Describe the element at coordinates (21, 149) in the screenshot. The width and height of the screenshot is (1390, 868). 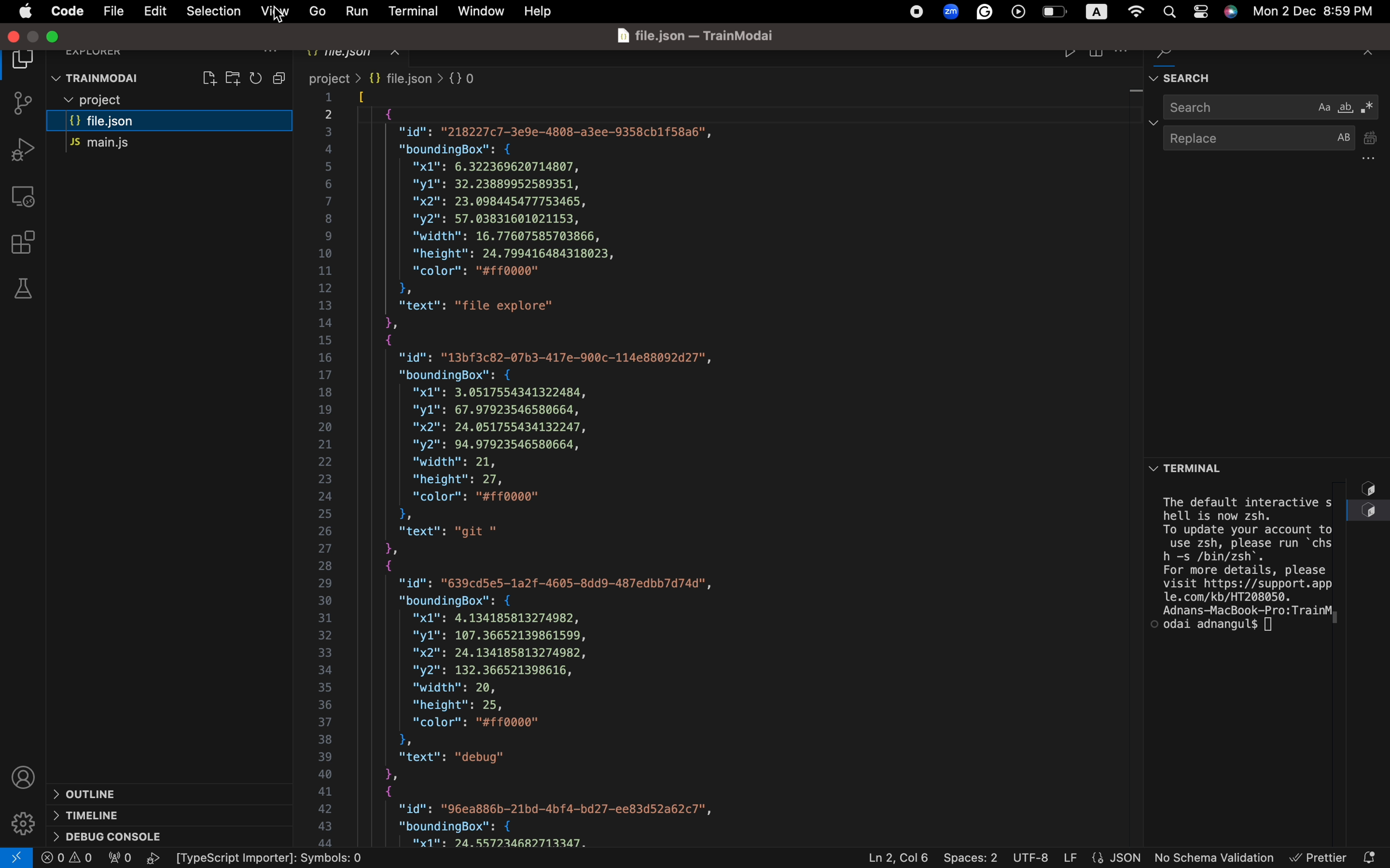
I see `debug tool` at that location.